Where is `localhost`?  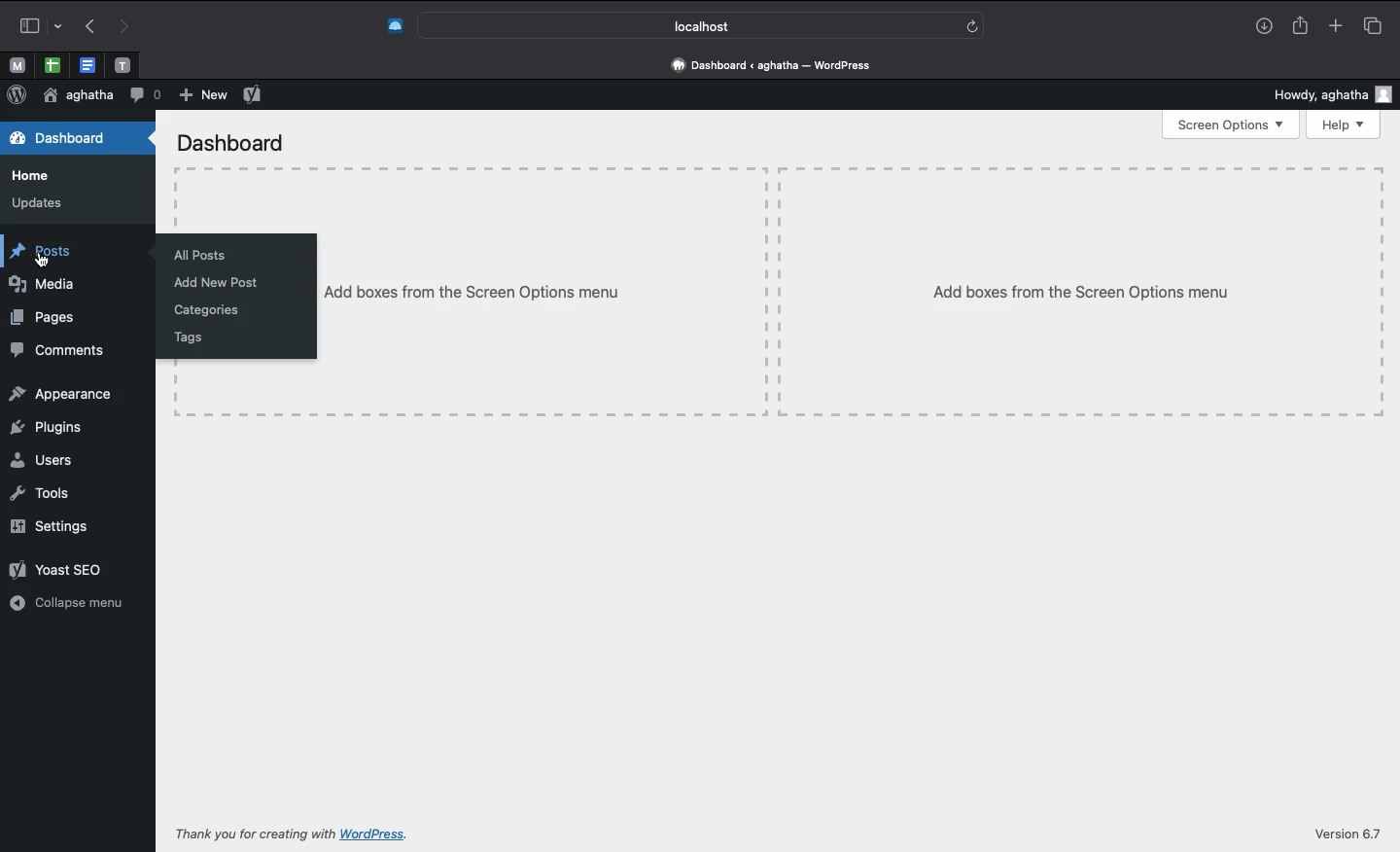
localhost is located at coordinates (698, 26).